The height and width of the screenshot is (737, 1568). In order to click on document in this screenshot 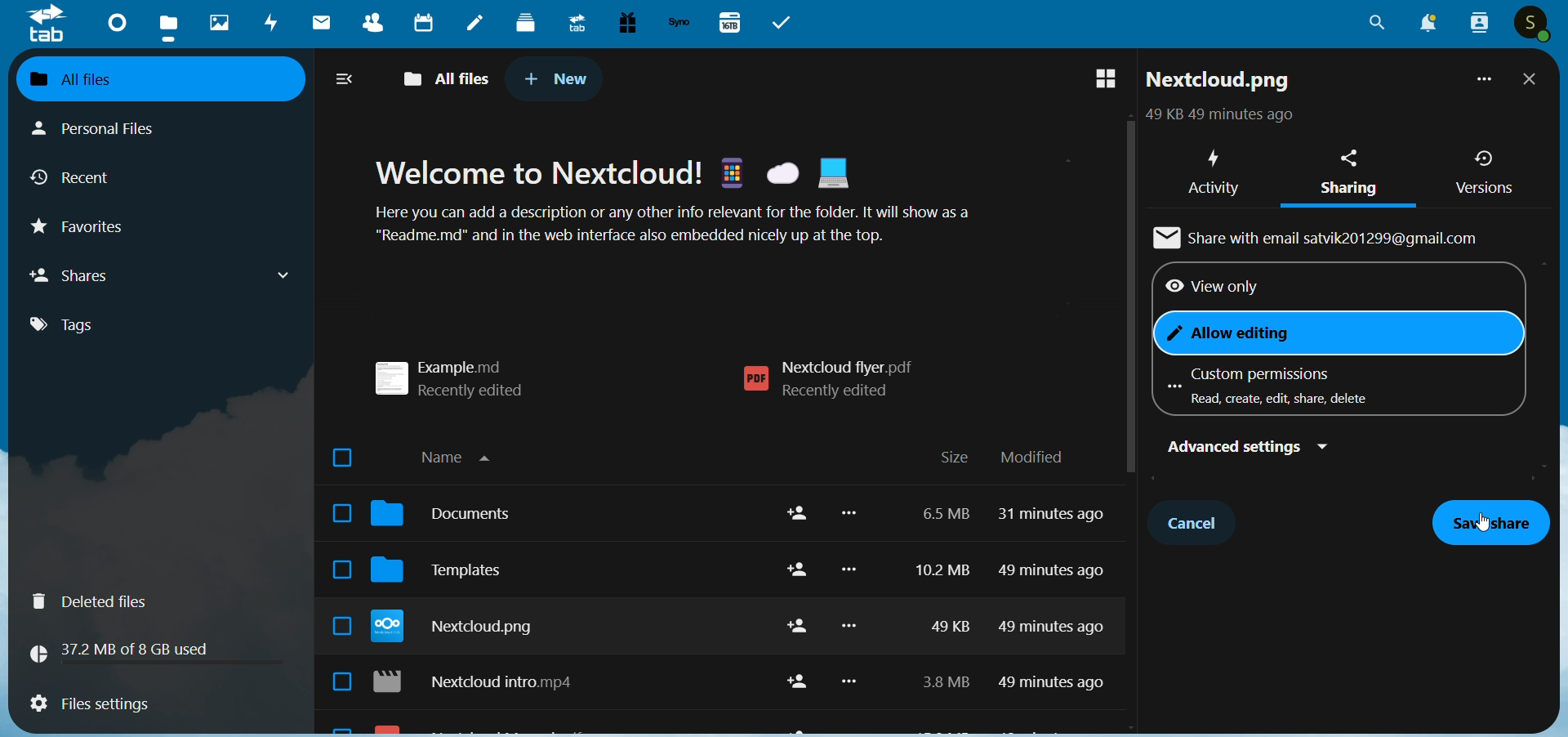, I will do `click(452, 518)`.